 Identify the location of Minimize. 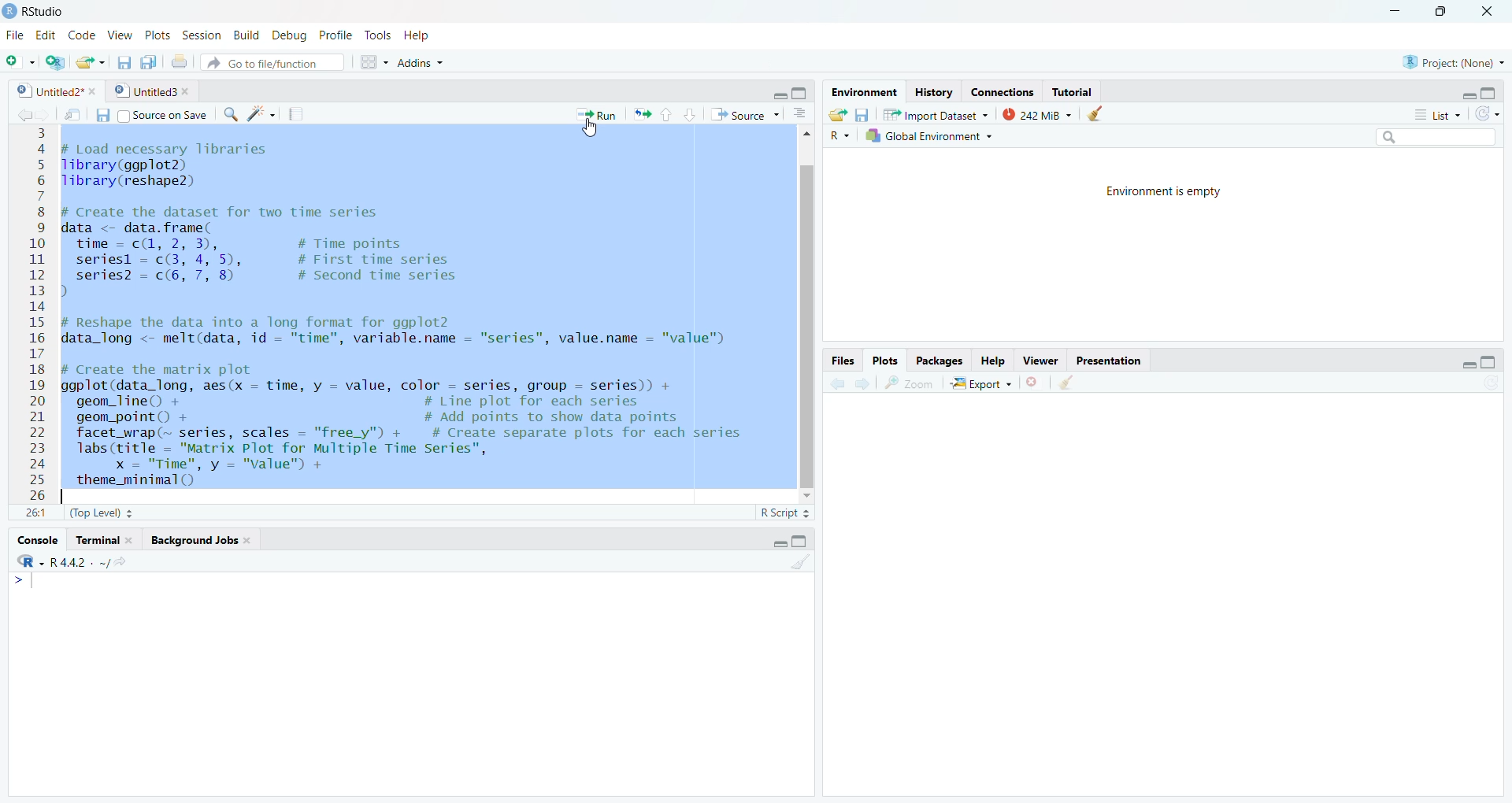
(1395, 11).